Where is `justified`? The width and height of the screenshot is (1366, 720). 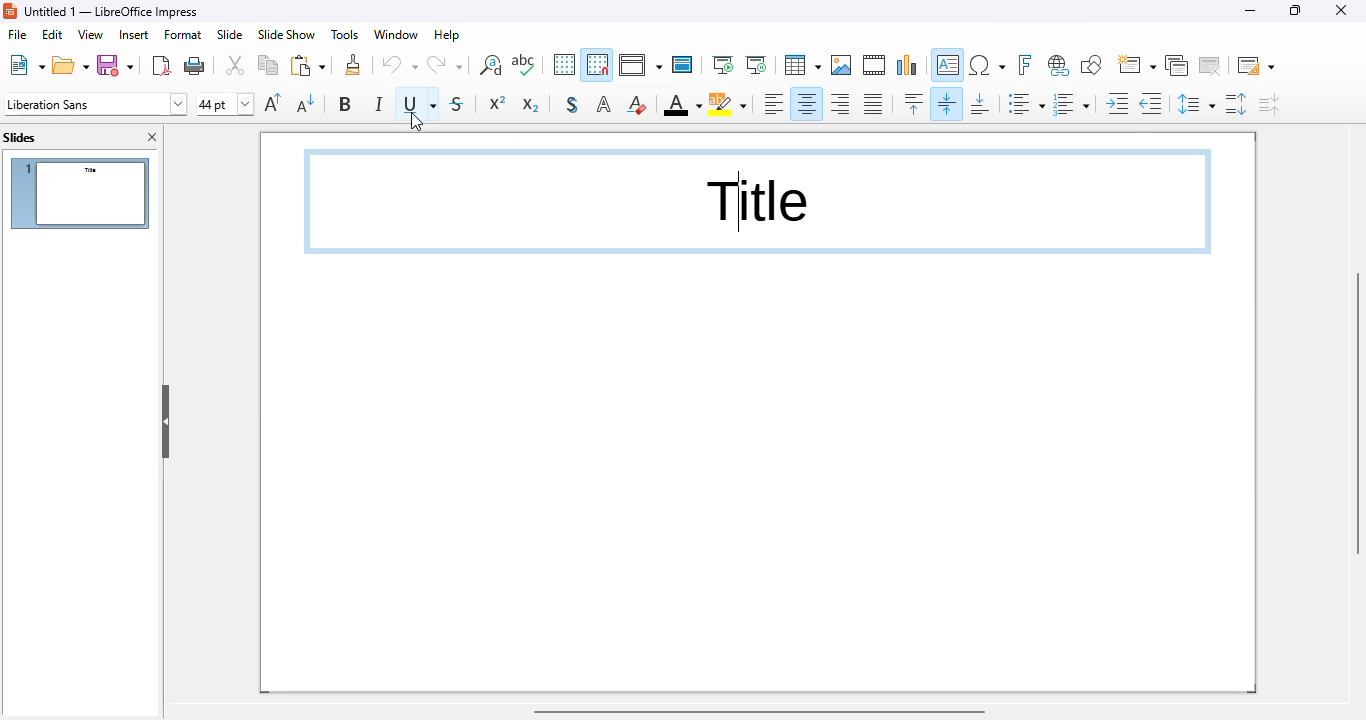 justified is located at coordinates (873, 104).